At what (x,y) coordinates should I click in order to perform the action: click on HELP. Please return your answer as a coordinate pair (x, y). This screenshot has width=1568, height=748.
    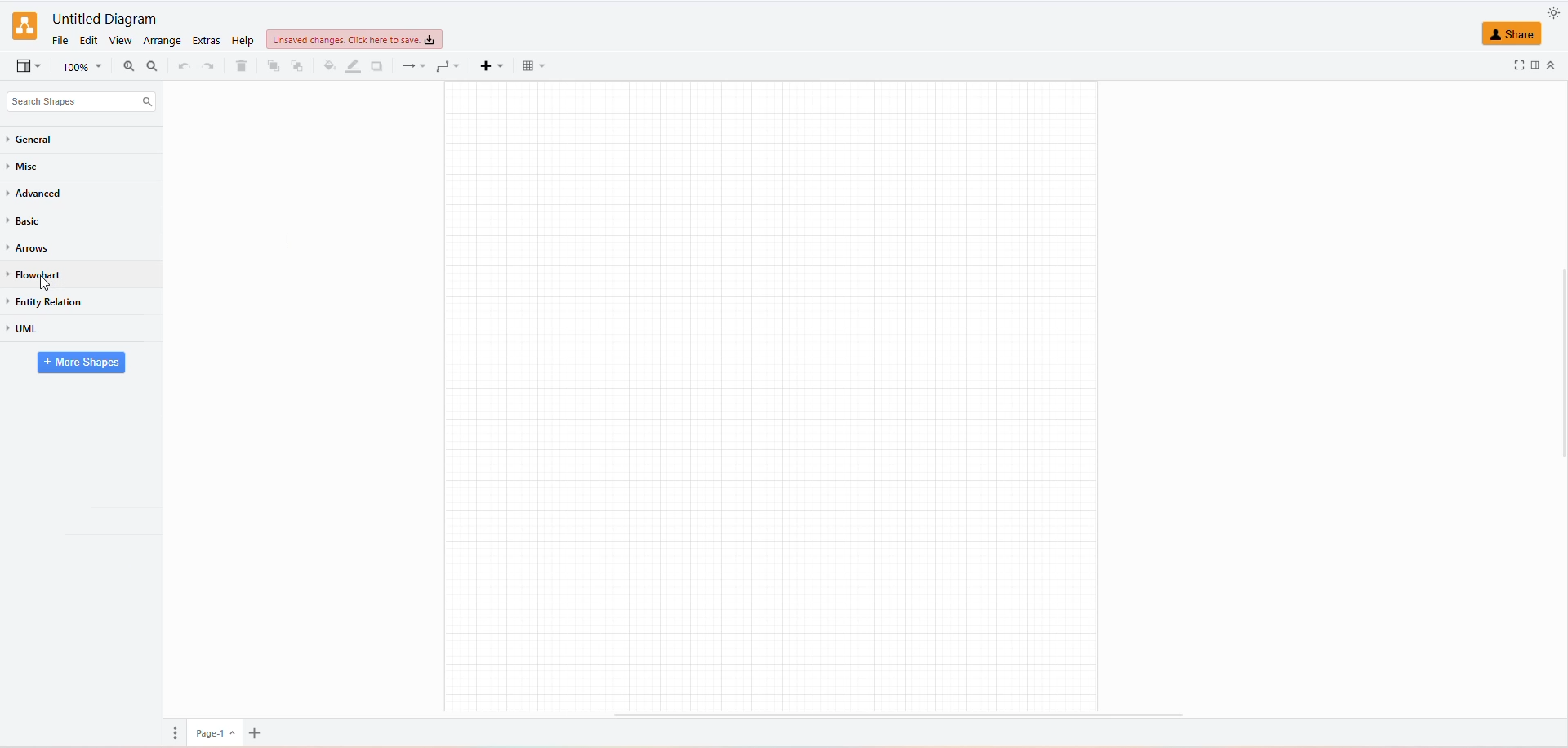
    Looking at the image, I should click on (241, 40).